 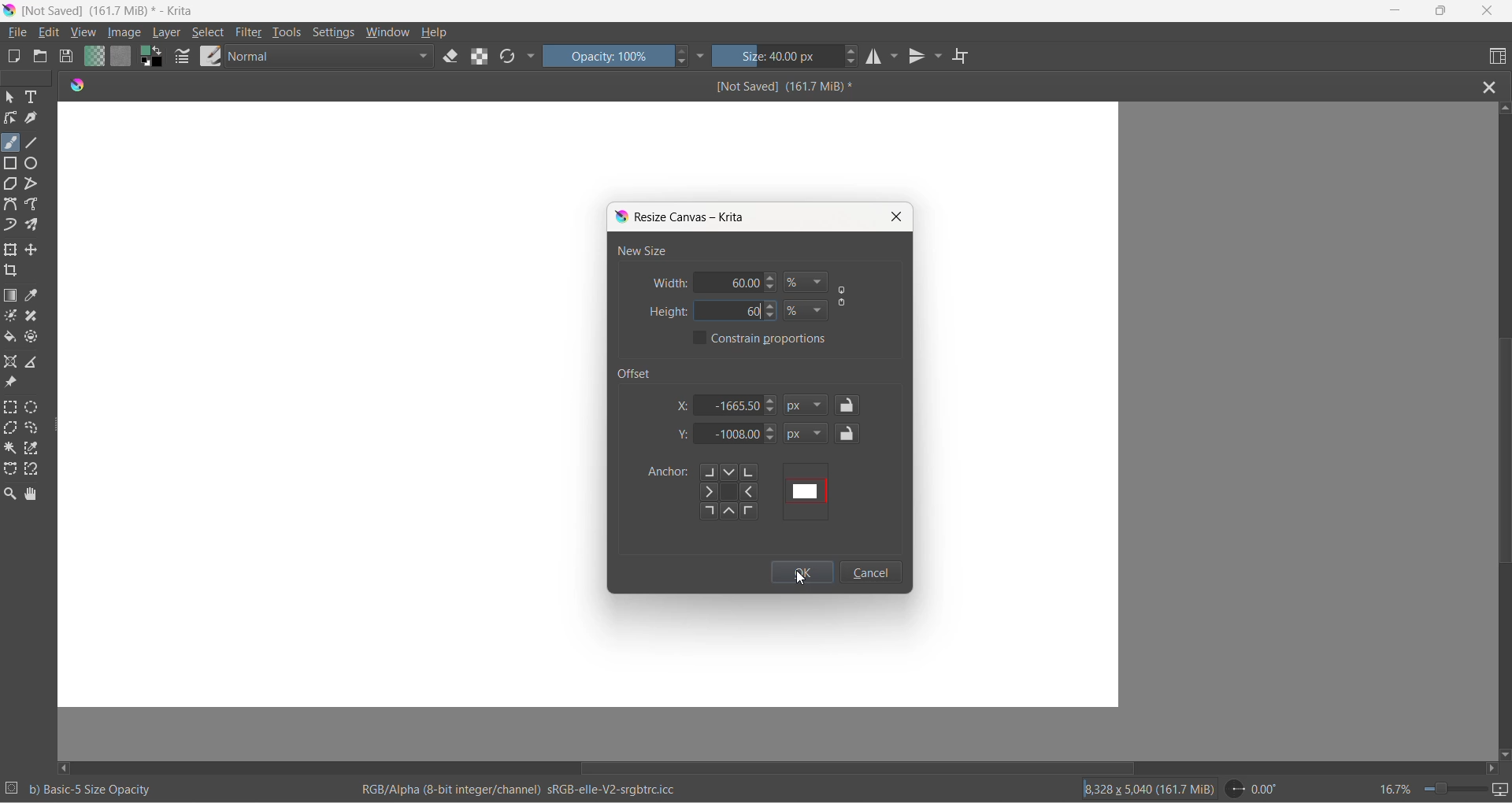 What do you see at coordinates (210, 56) in the screenshot?
I see `brush presets` at bounding box center [210, 56].